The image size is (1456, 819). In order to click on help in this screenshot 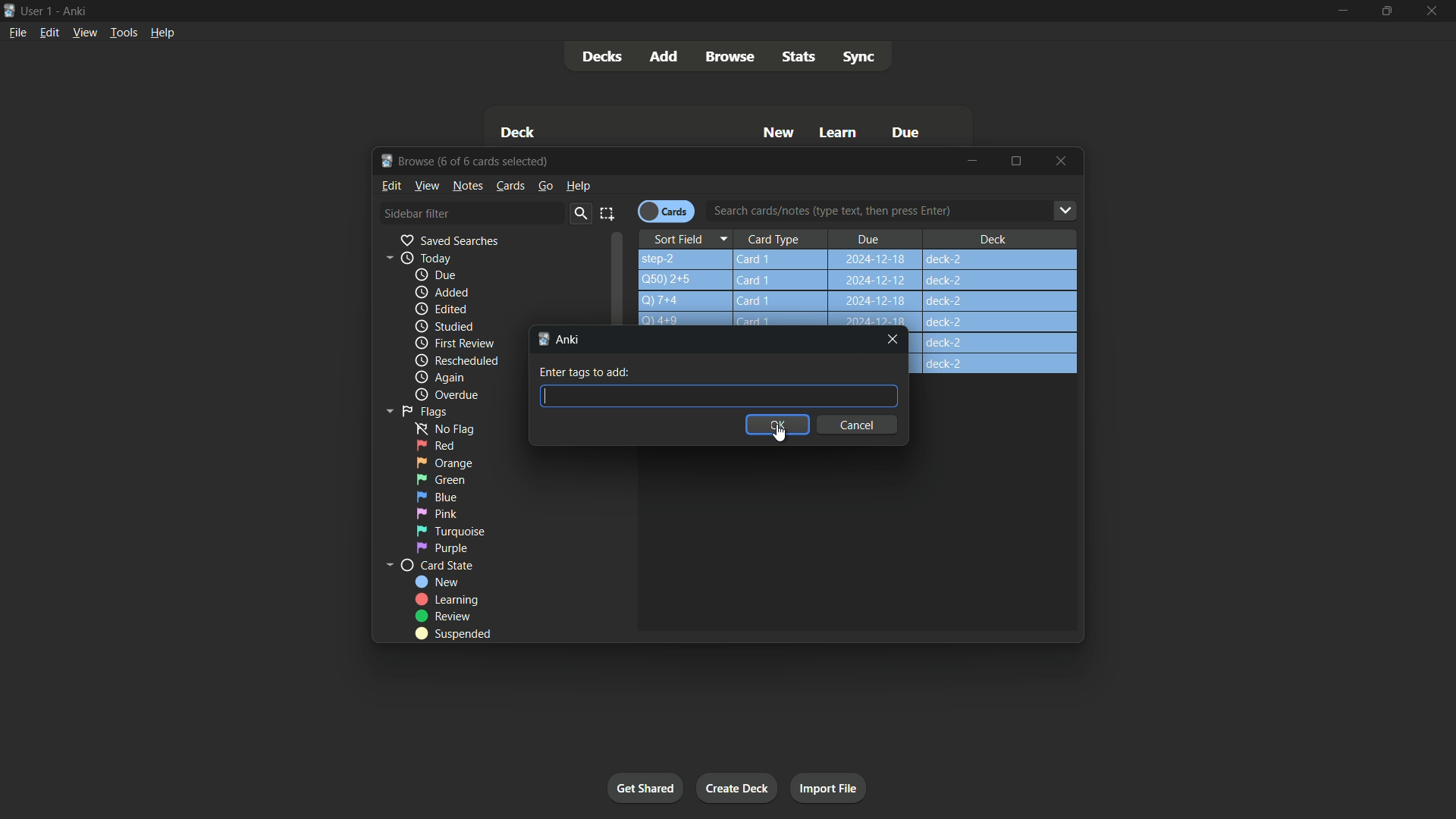, I will do `click(578, 185)`.